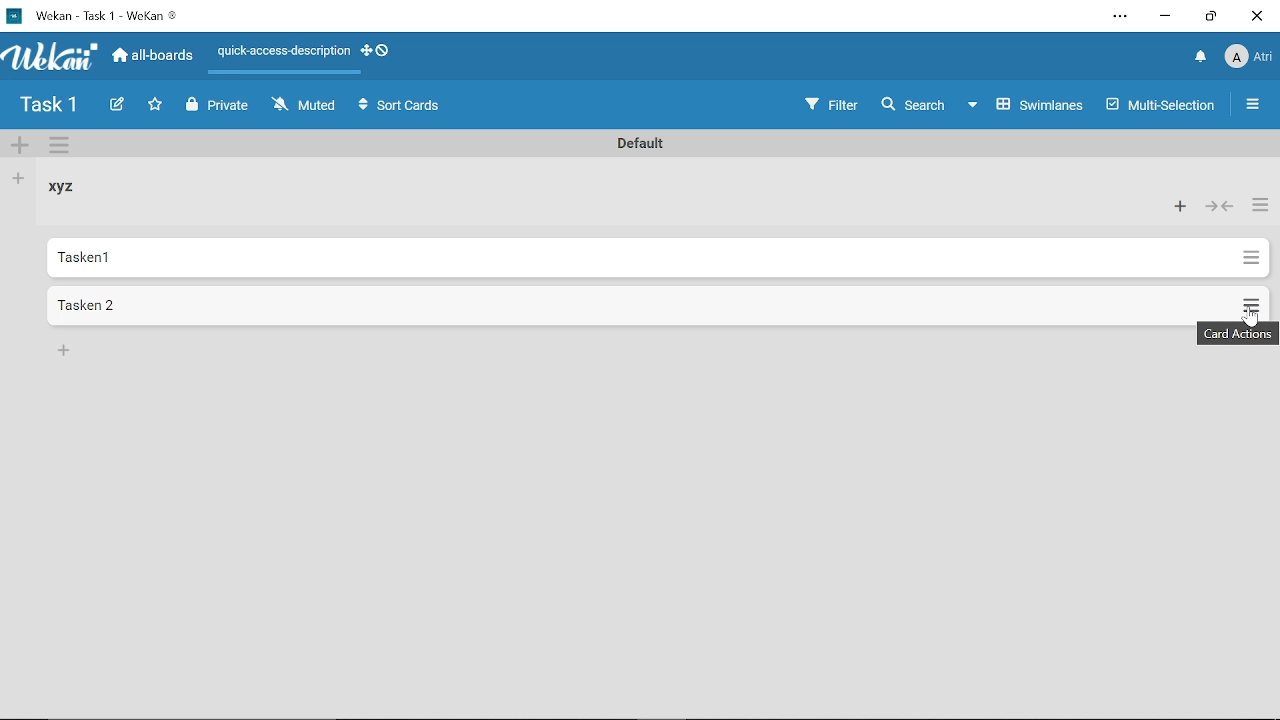  What do you see at coordinates (1026, 106) in the screenshot?
I see `Swimlanes` at bounding box center [1026, 106].